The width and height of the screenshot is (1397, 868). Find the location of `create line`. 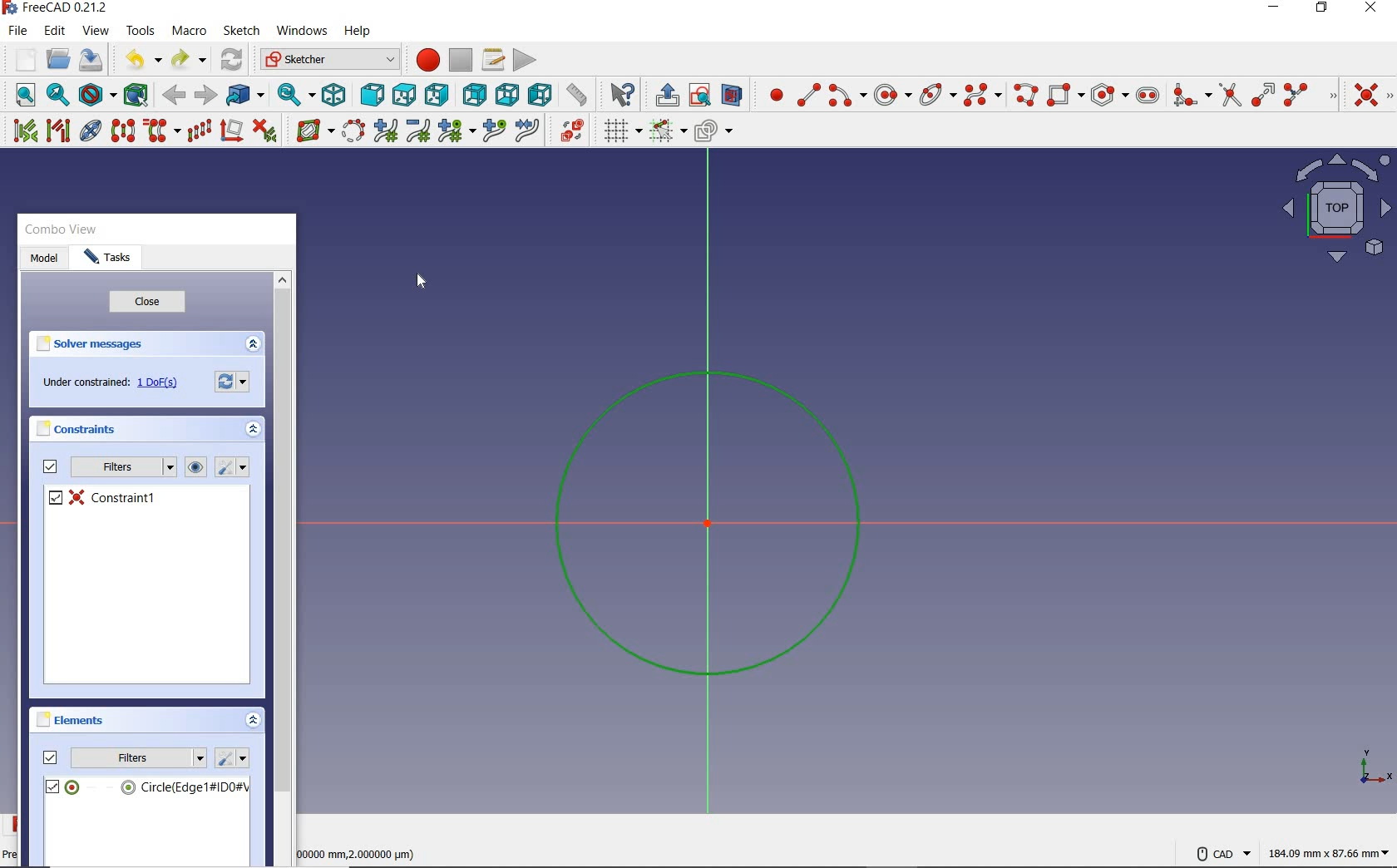

create line is located at coordinates (807, 96).